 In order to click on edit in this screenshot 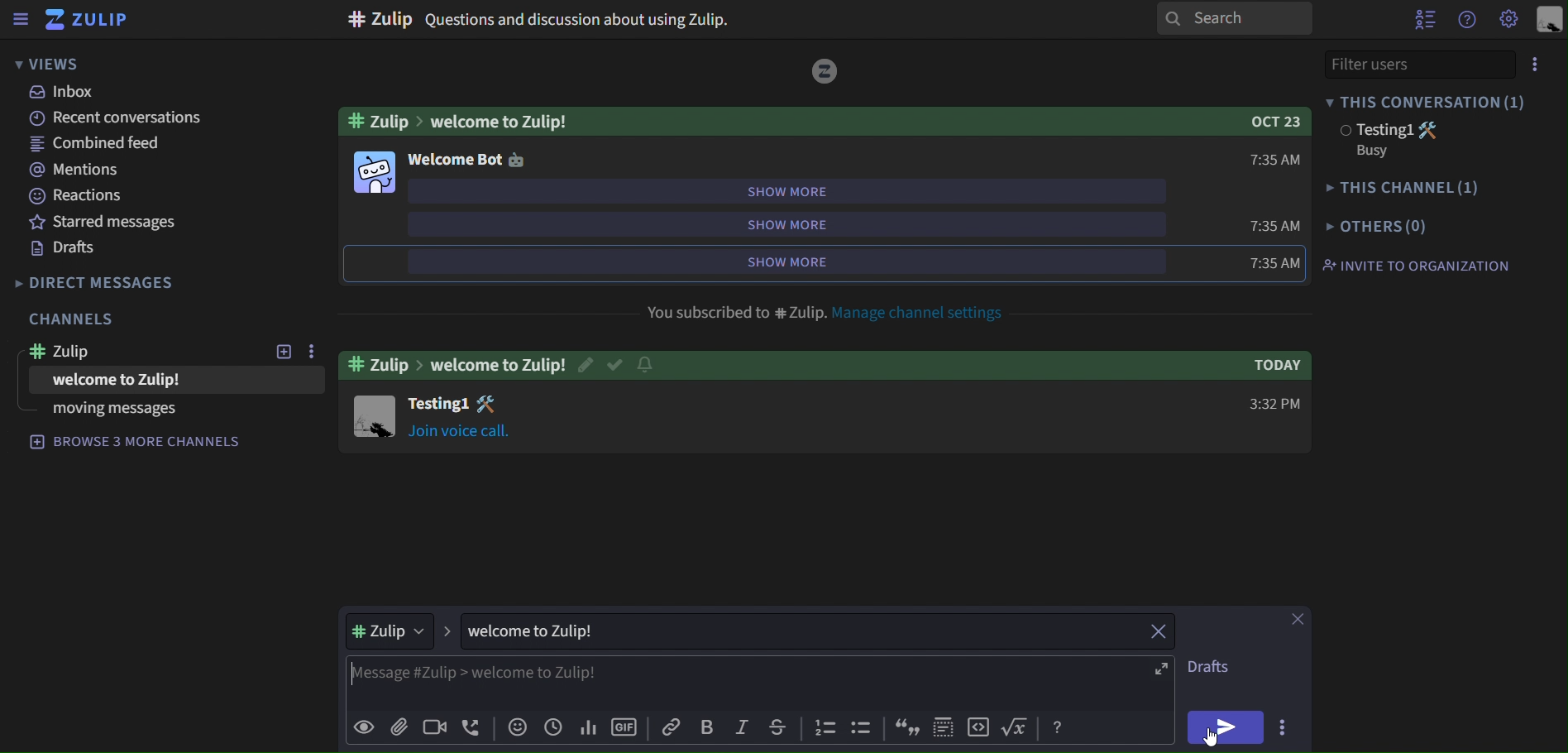, I will do `click(585, 363)`.